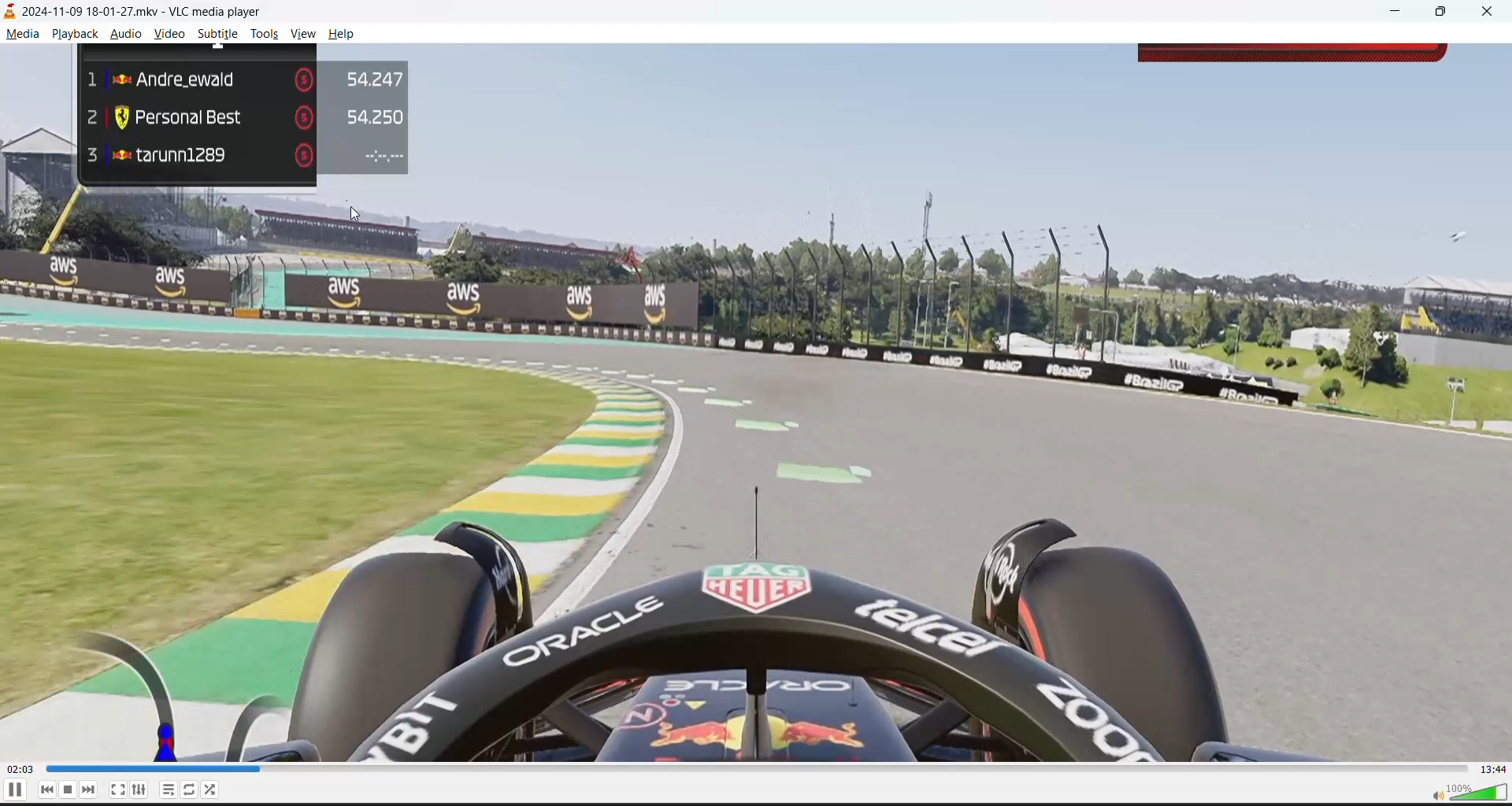  Describe the element at coordinates (124, 34) in the screenshot. I see `audio` at that location.